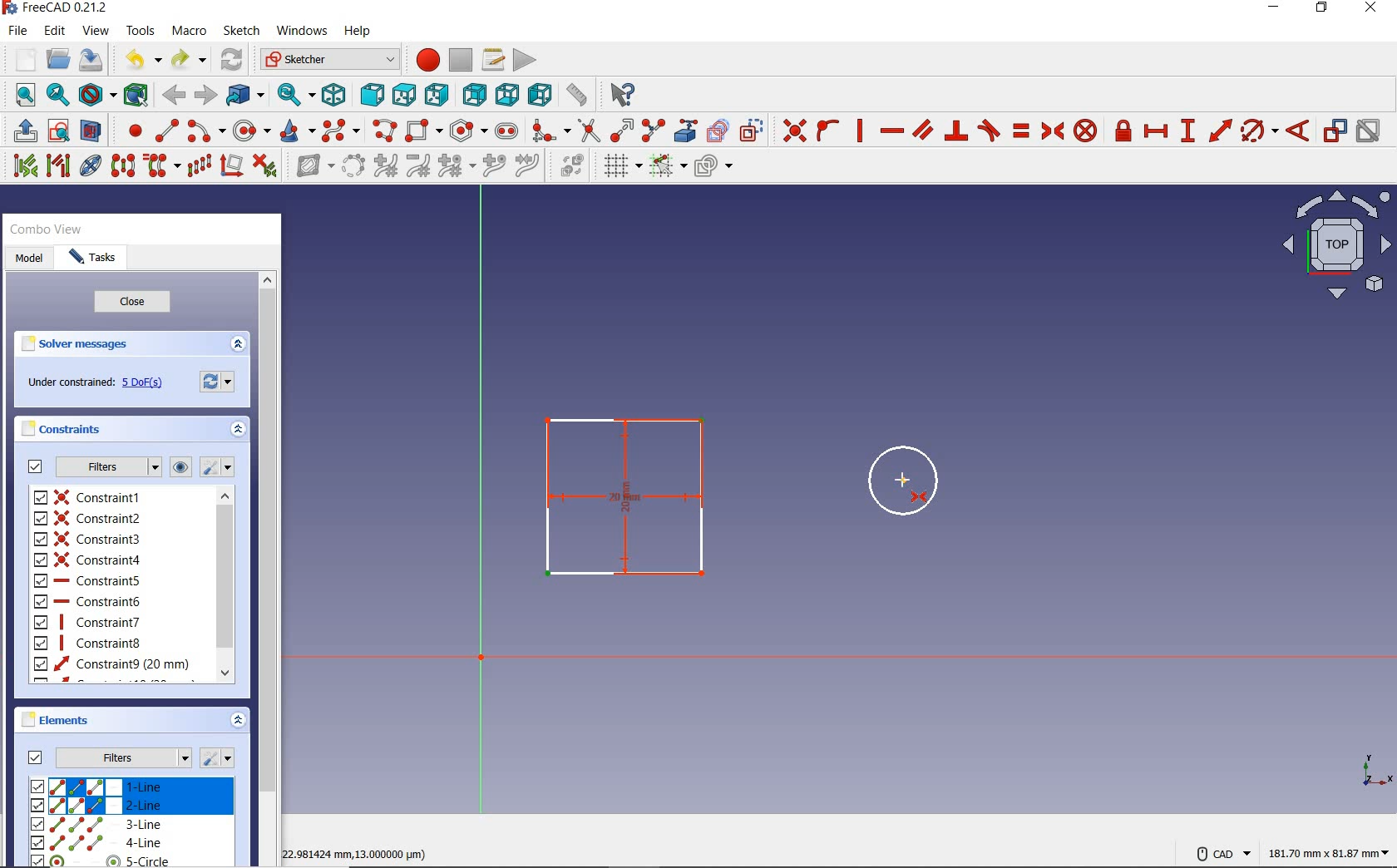 This screenshot has width=1397, height=868. What do you see at coordinates (1157, 131) in the screenshot?
I see `constrain horizontal distance` at bounding box center [1157, 131].